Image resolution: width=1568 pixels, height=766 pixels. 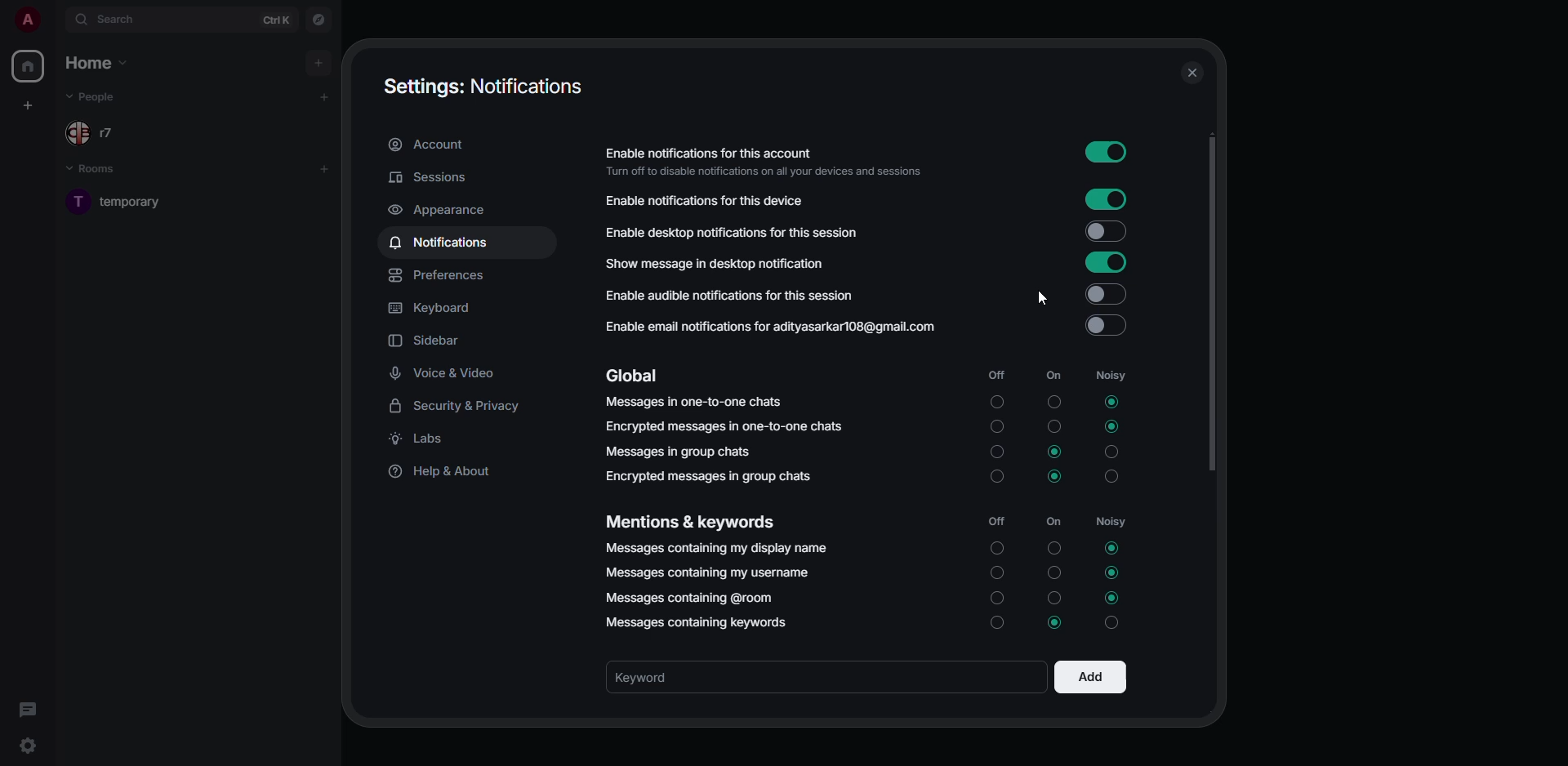 I want to click on cursor, so click(x=1040, y=297).